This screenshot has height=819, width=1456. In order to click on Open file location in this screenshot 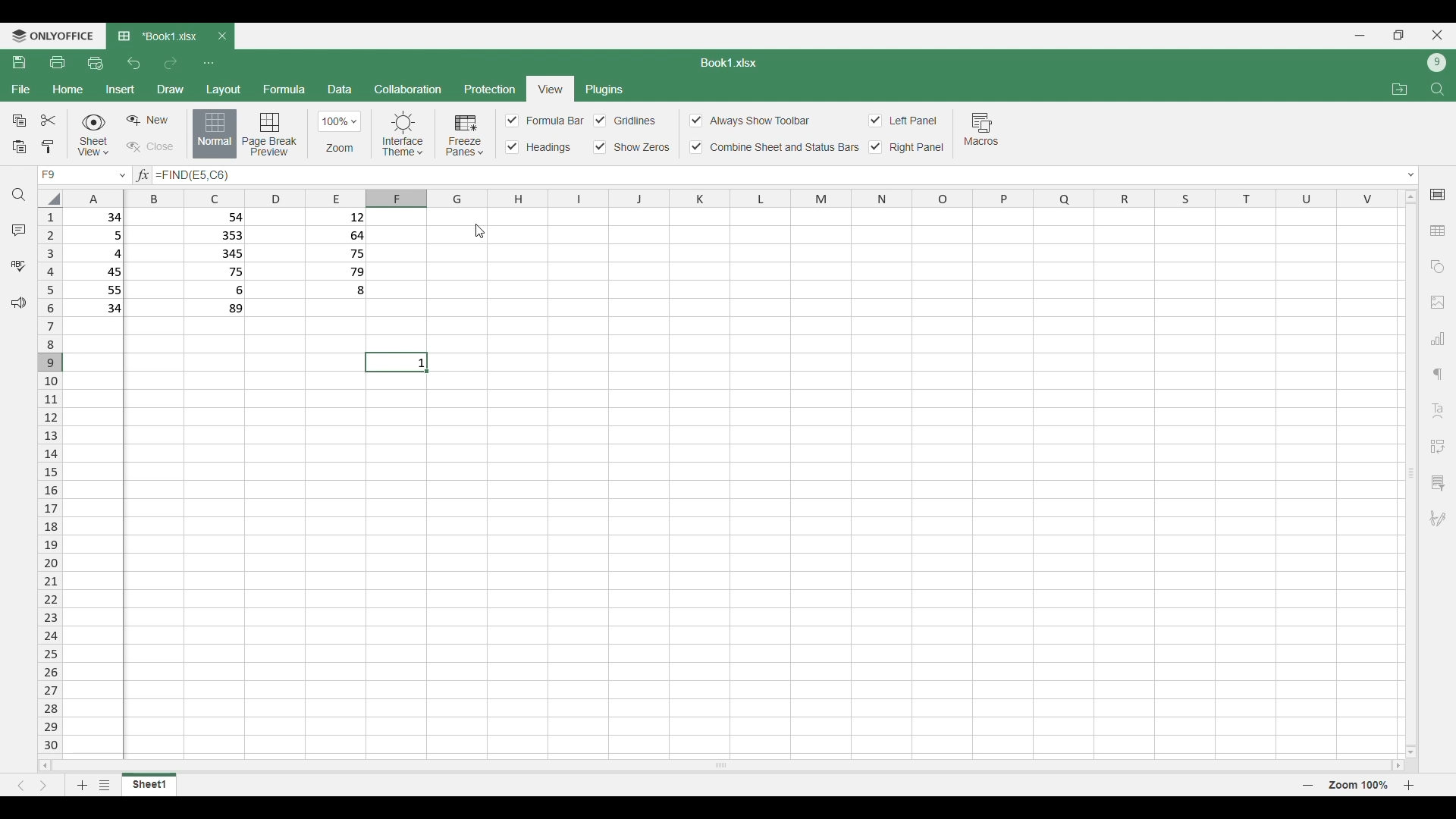, I will do `click(1401, 89)`.